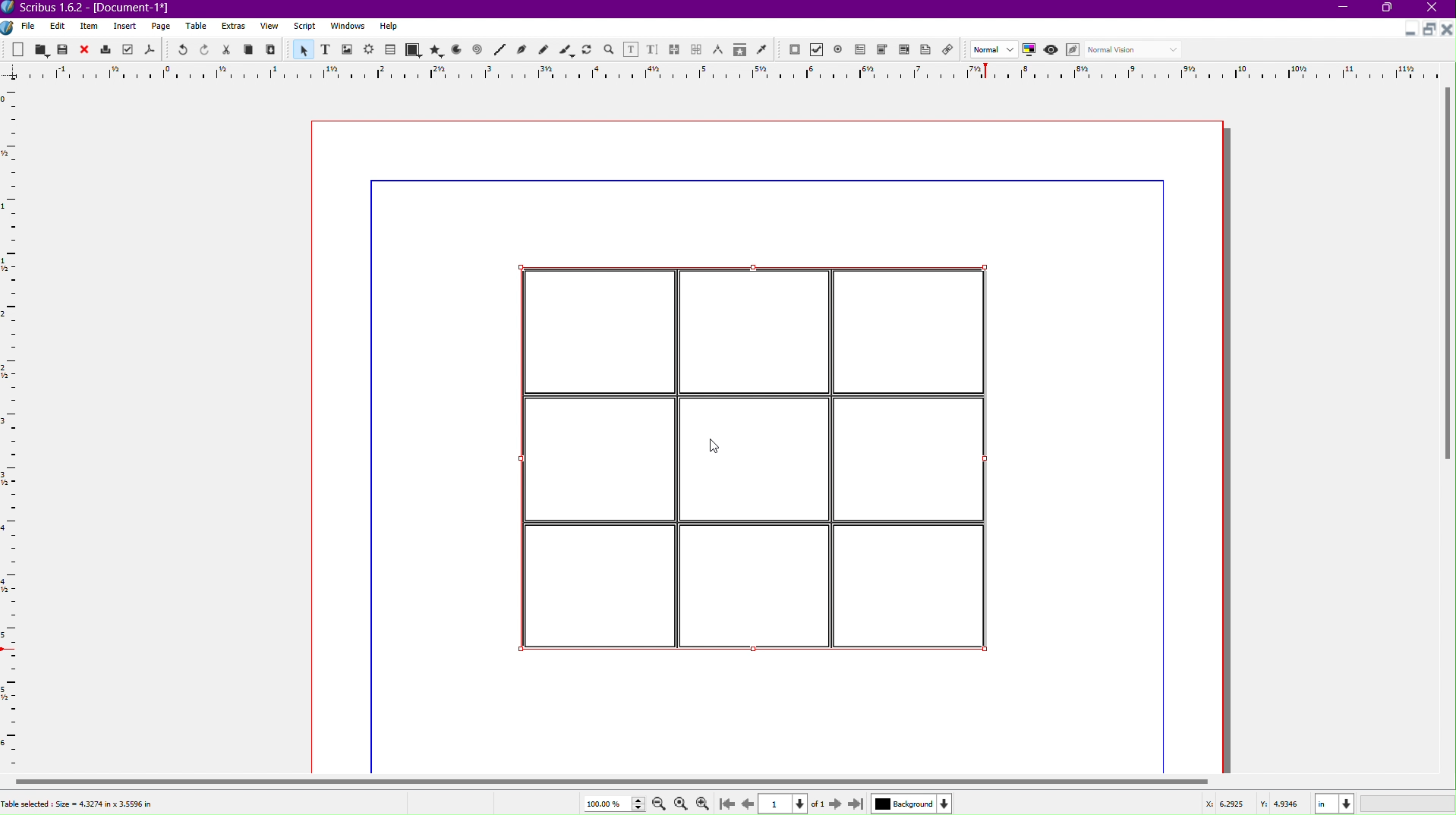 The image size is (1456, 815). What do you see at coordinates (819, 51) in the screenshot?
I see `PDF Check Box` at bounding box center [819, 51].